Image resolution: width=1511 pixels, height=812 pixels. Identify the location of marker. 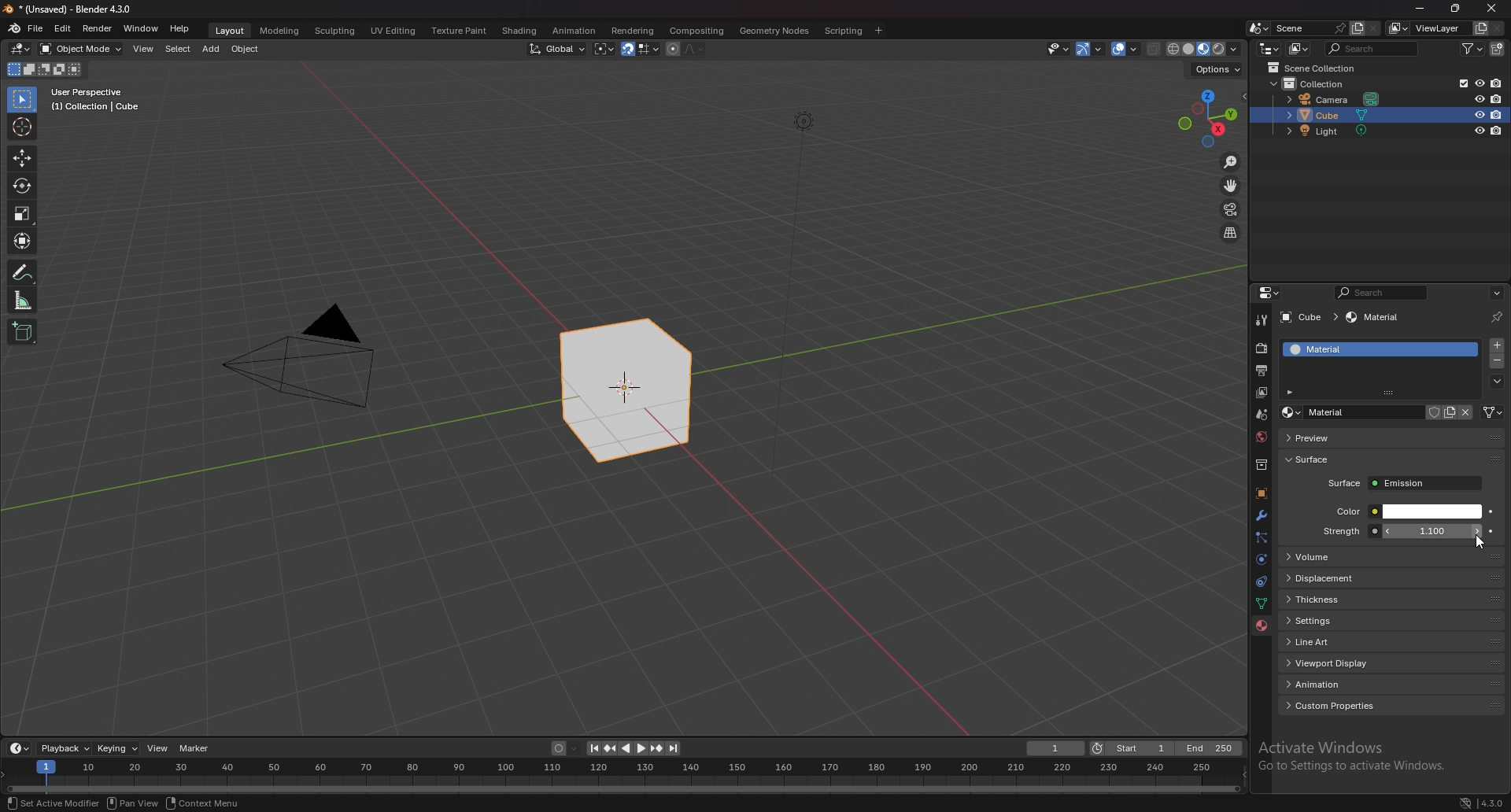
(194, 747).